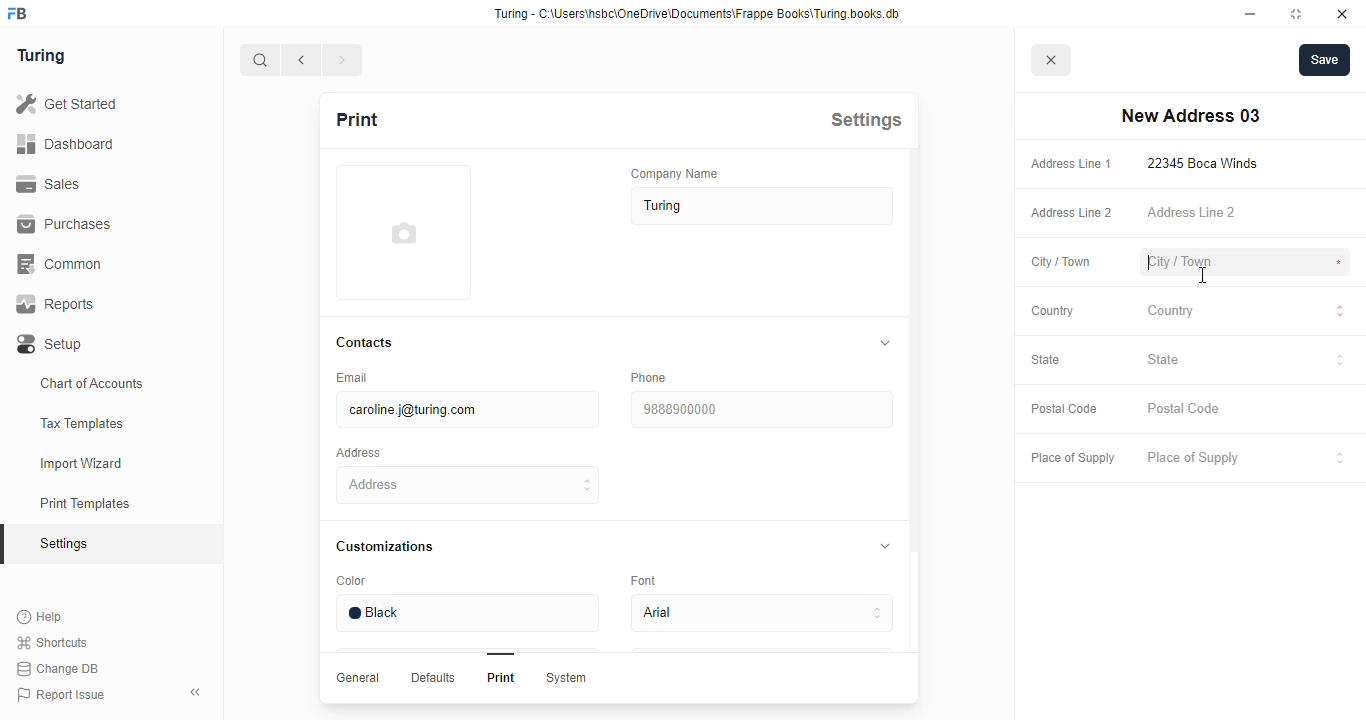 This screenshot has height=720, width=1366. Describe the element at coordinates (344, 60) in the screenshot. I see `next` at that location.